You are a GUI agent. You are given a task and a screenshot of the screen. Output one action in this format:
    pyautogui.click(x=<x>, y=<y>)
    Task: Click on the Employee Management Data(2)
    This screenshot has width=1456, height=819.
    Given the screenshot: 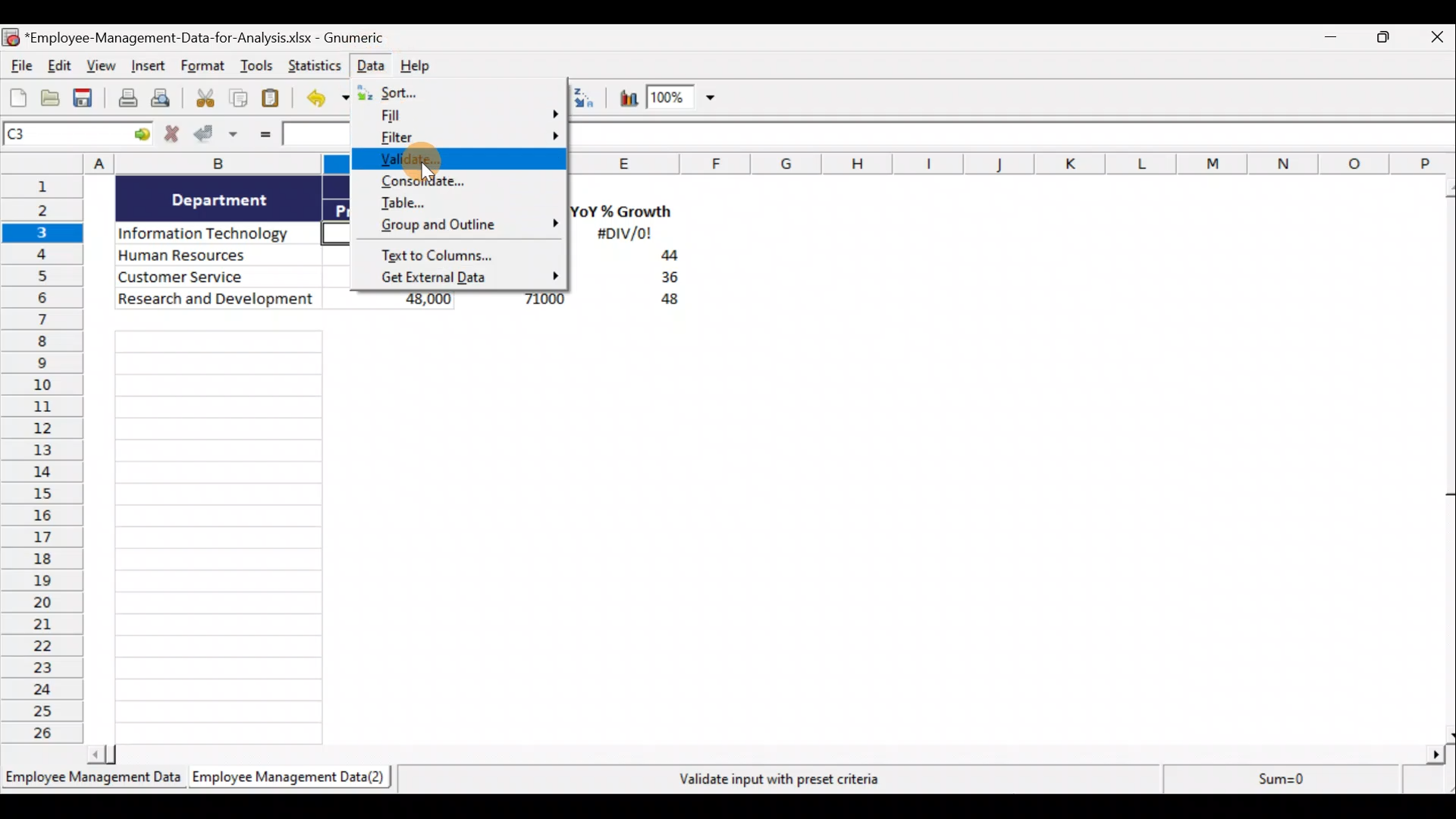 What is the action you would take?
    pyautogui.click(x=286, y=780)
    